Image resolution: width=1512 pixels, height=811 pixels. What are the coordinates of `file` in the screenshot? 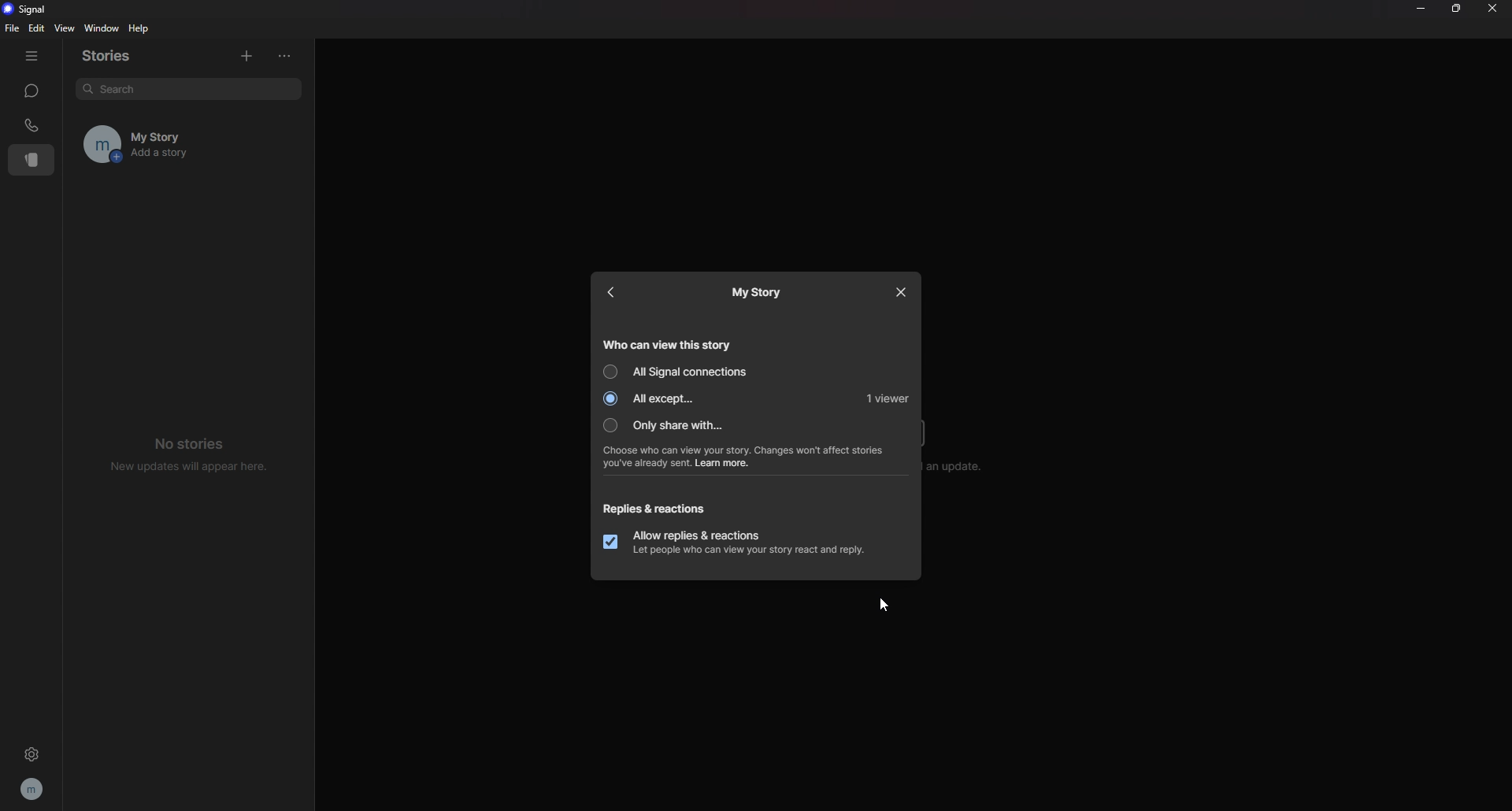 It's located at (14, 28).